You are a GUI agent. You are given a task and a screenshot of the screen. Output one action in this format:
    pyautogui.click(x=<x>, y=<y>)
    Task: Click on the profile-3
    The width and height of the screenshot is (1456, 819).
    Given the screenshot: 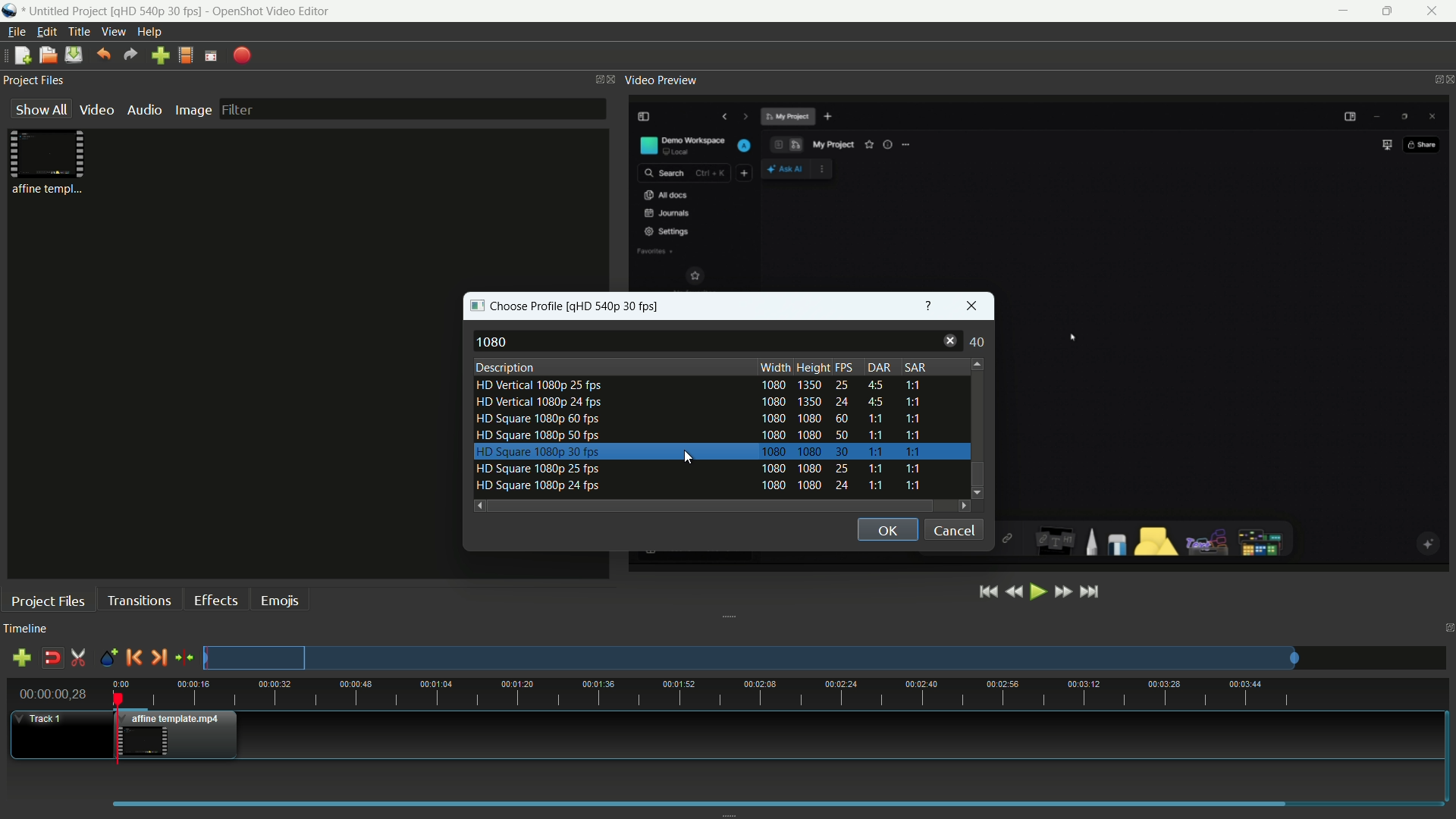 What is the action you would take?
    pyautogui.click(x=698, y=420)
    